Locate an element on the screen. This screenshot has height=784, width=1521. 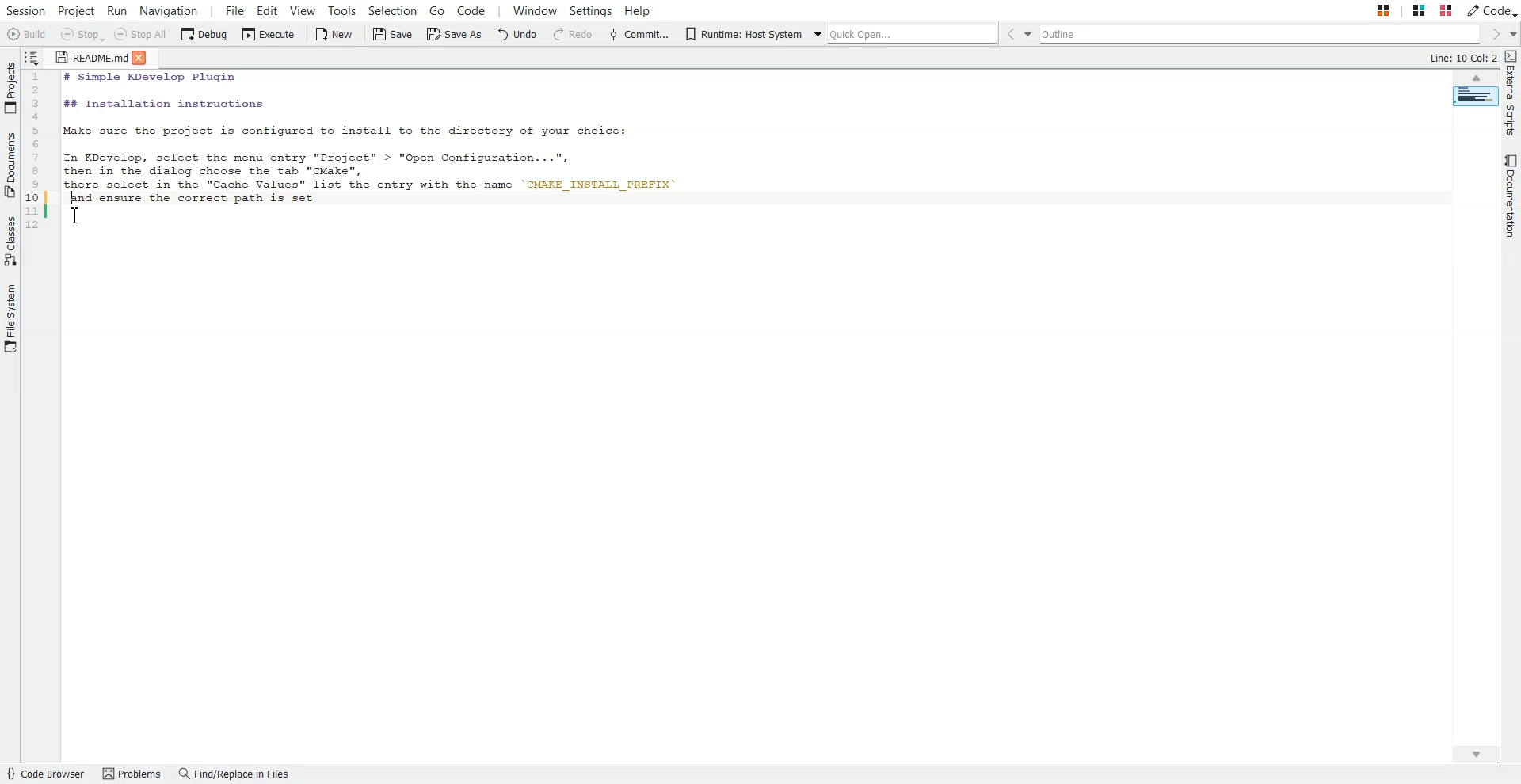
Commit is located at coordinates (639, 35).